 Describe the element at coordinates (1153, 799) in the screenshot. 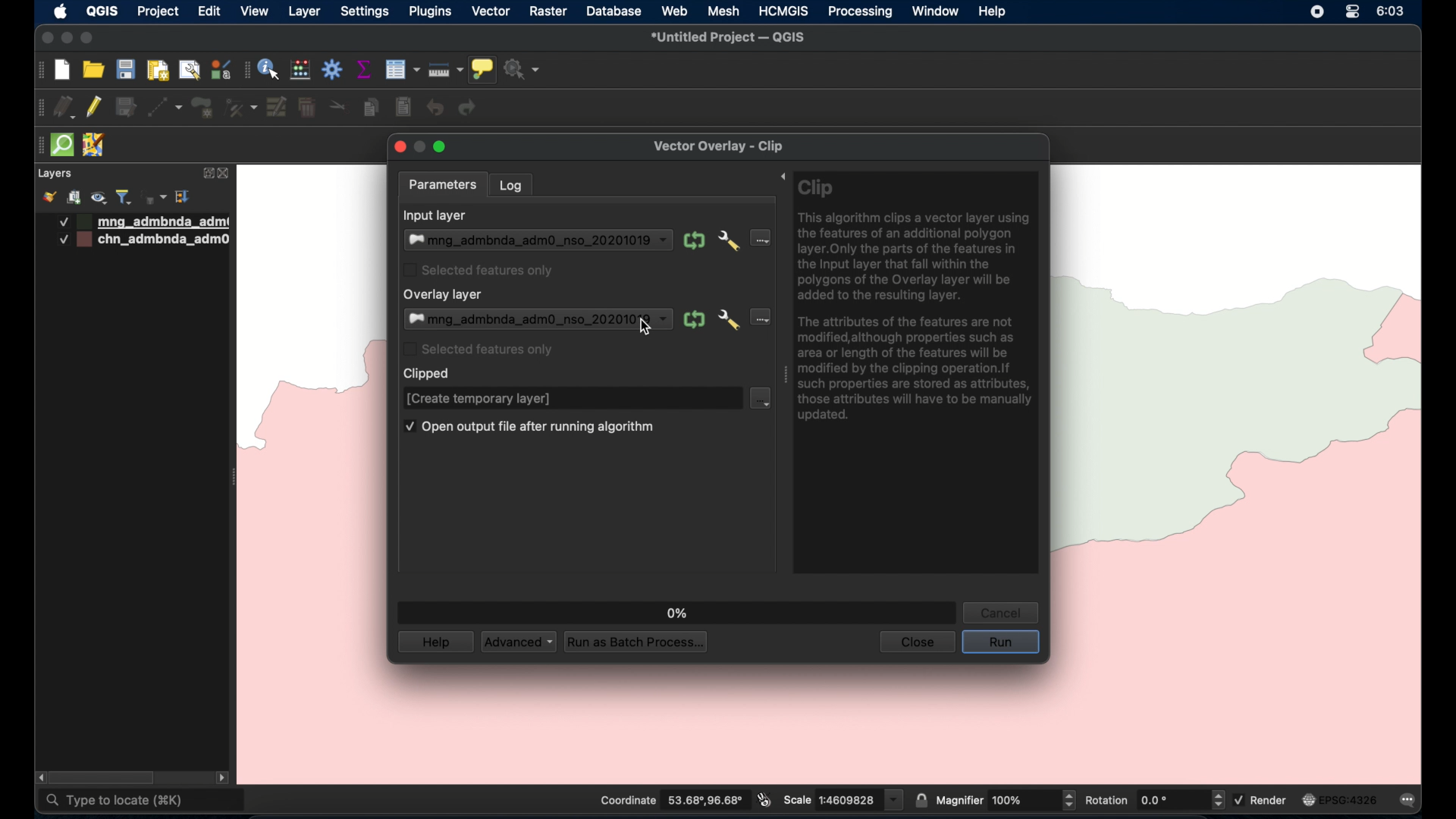

I see `rotation` at that location.